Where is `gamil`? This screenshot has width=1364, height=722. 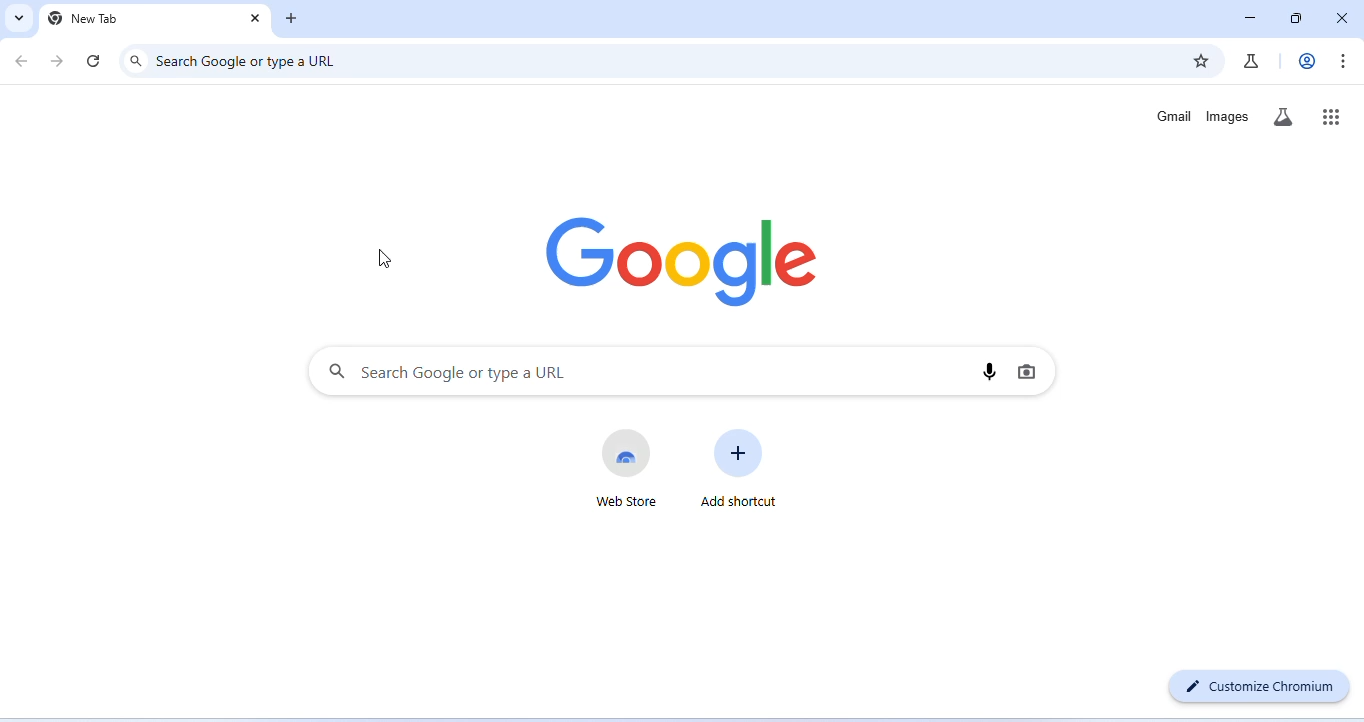
gamil is located at coordinates (1174, 115).